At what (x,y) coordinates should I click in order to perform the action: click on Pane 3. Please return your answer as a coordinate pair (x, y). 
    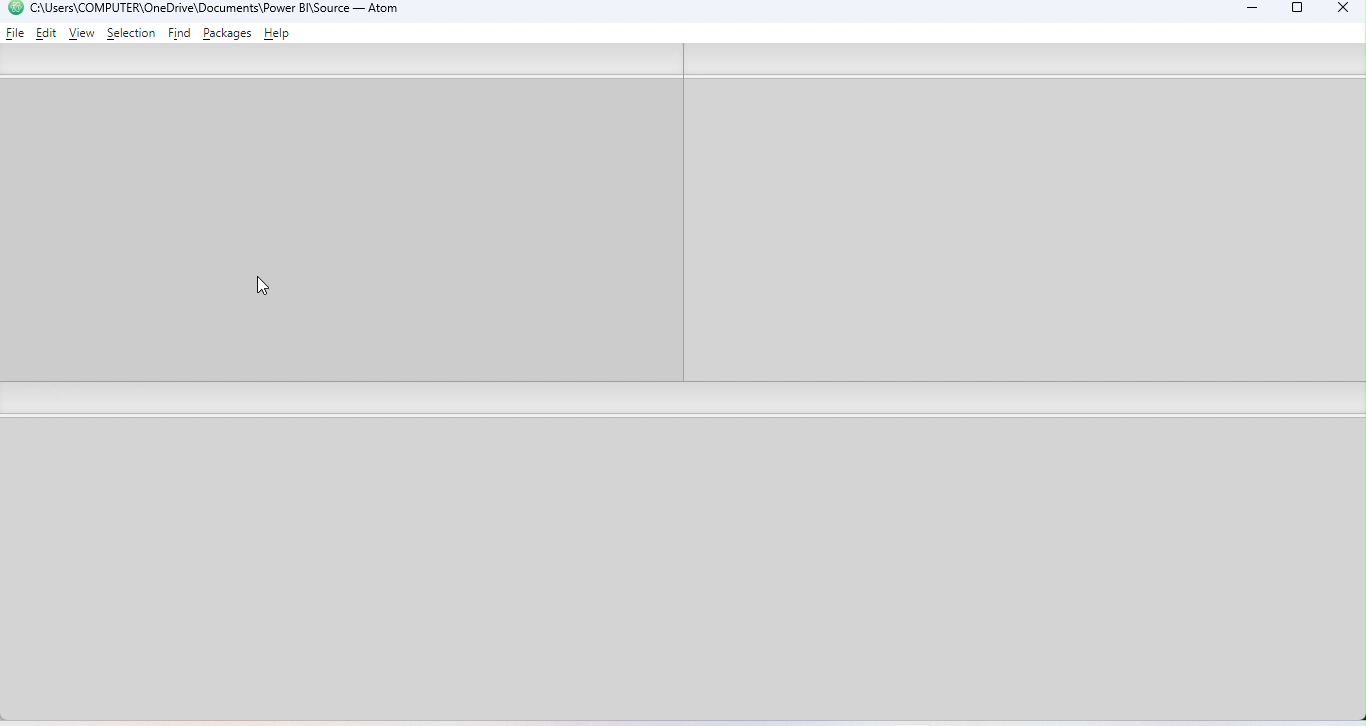
    Looking at the image, I should click on (686, 569).